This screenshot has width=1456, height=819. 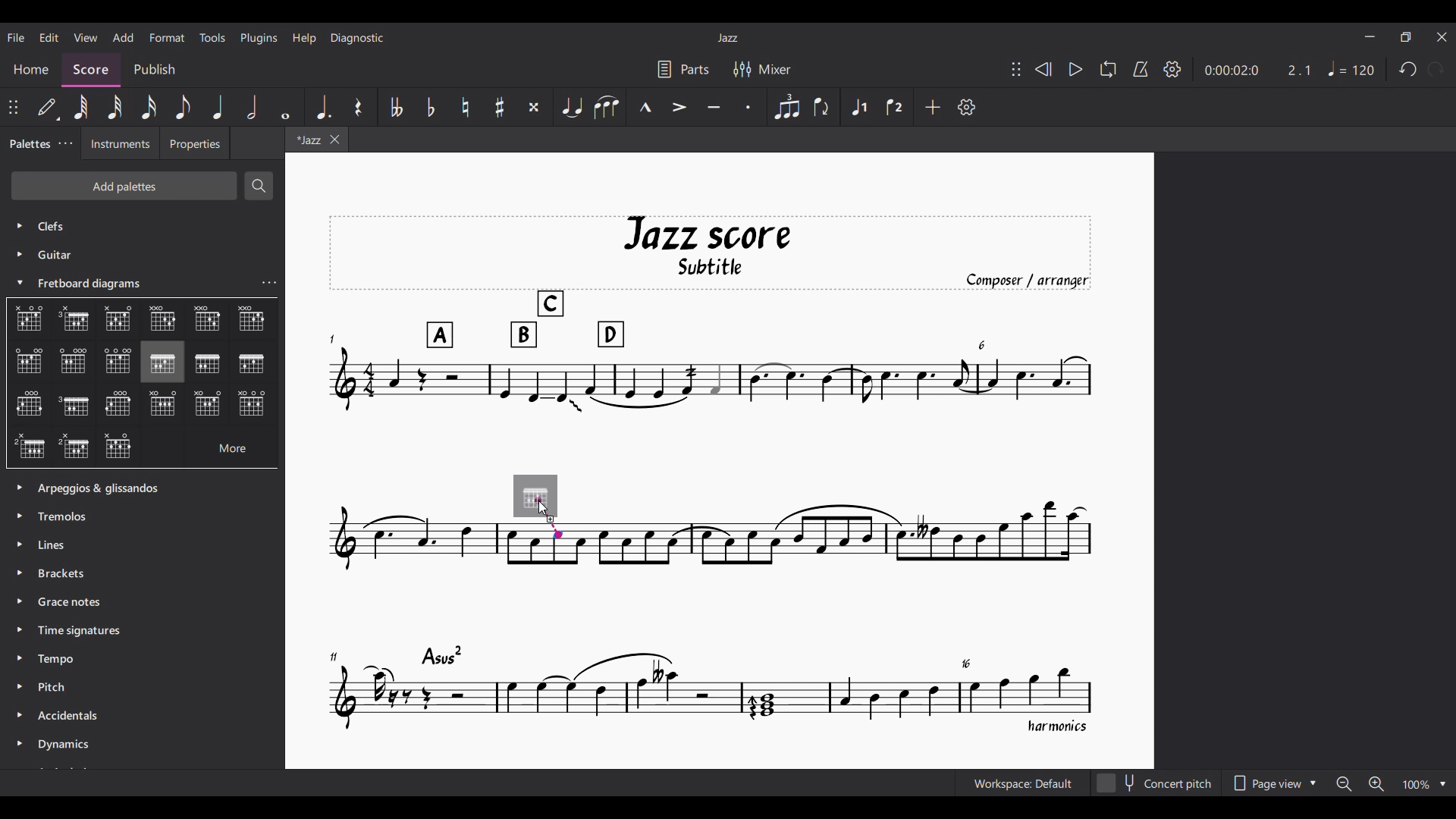 I want to click on Play, so click(x=1077, y=70).